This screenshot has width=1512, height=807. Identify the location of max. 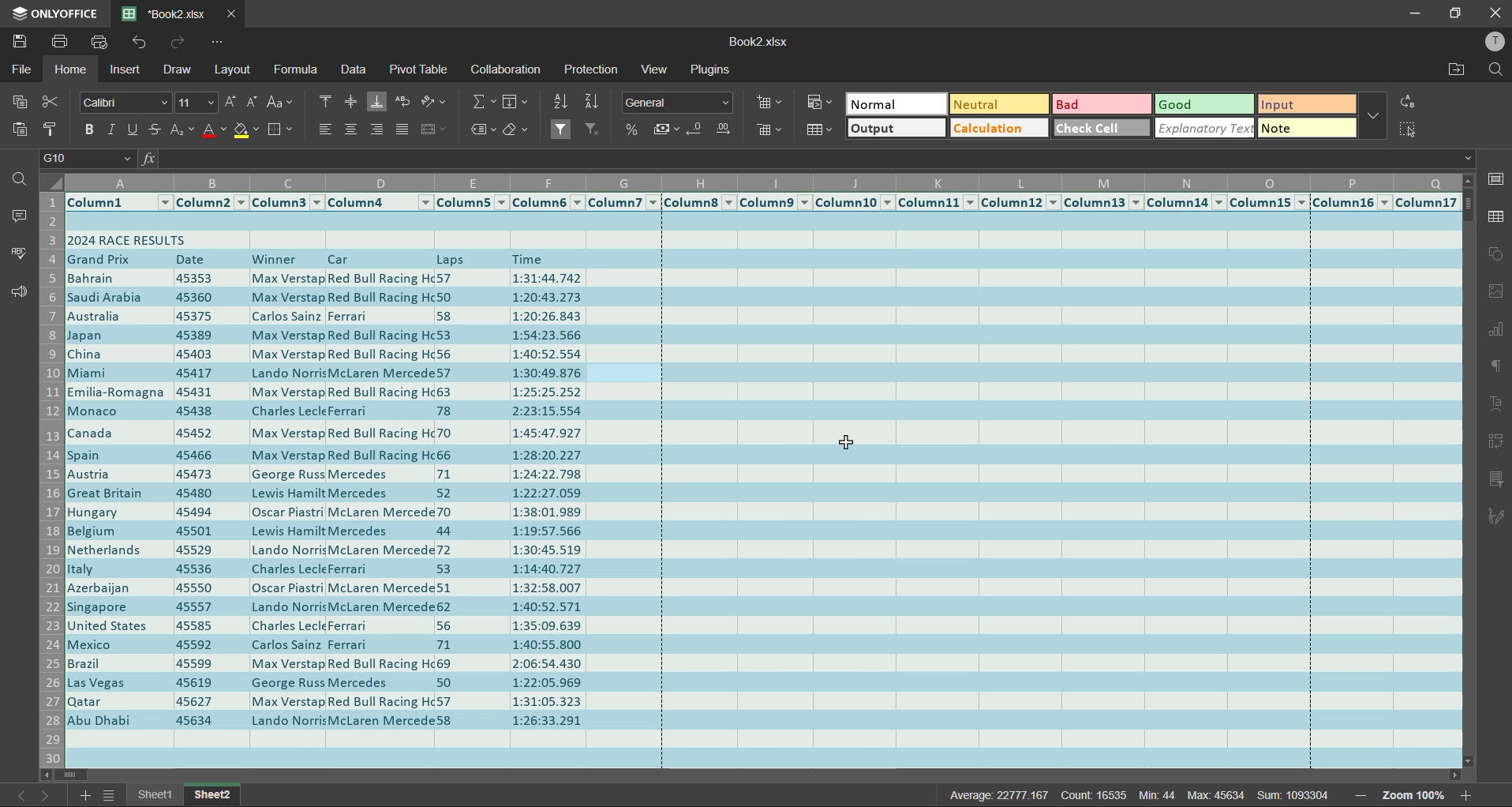
(1215, 794).